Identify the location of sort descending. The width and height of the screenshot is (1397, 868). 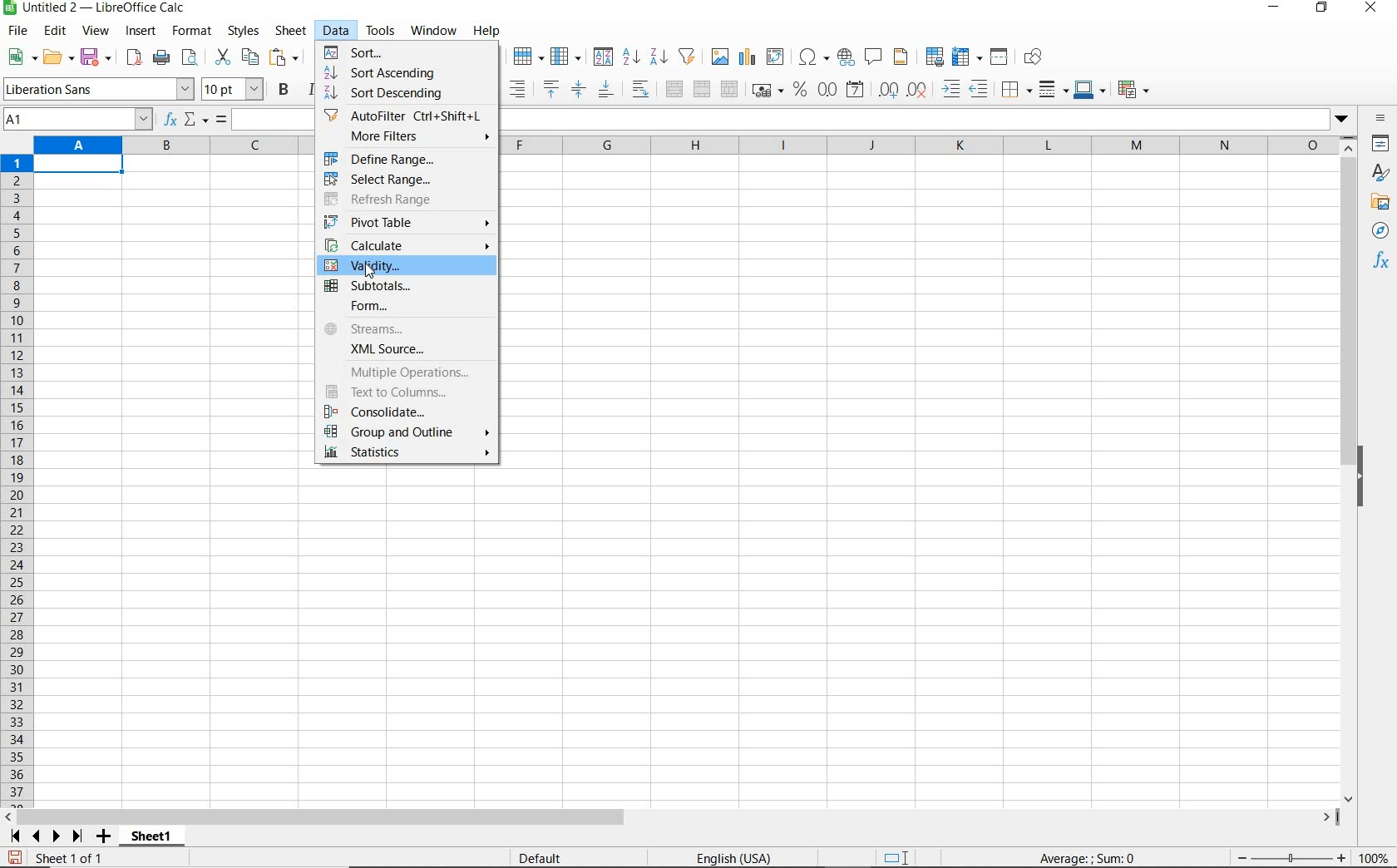
(659, 56).